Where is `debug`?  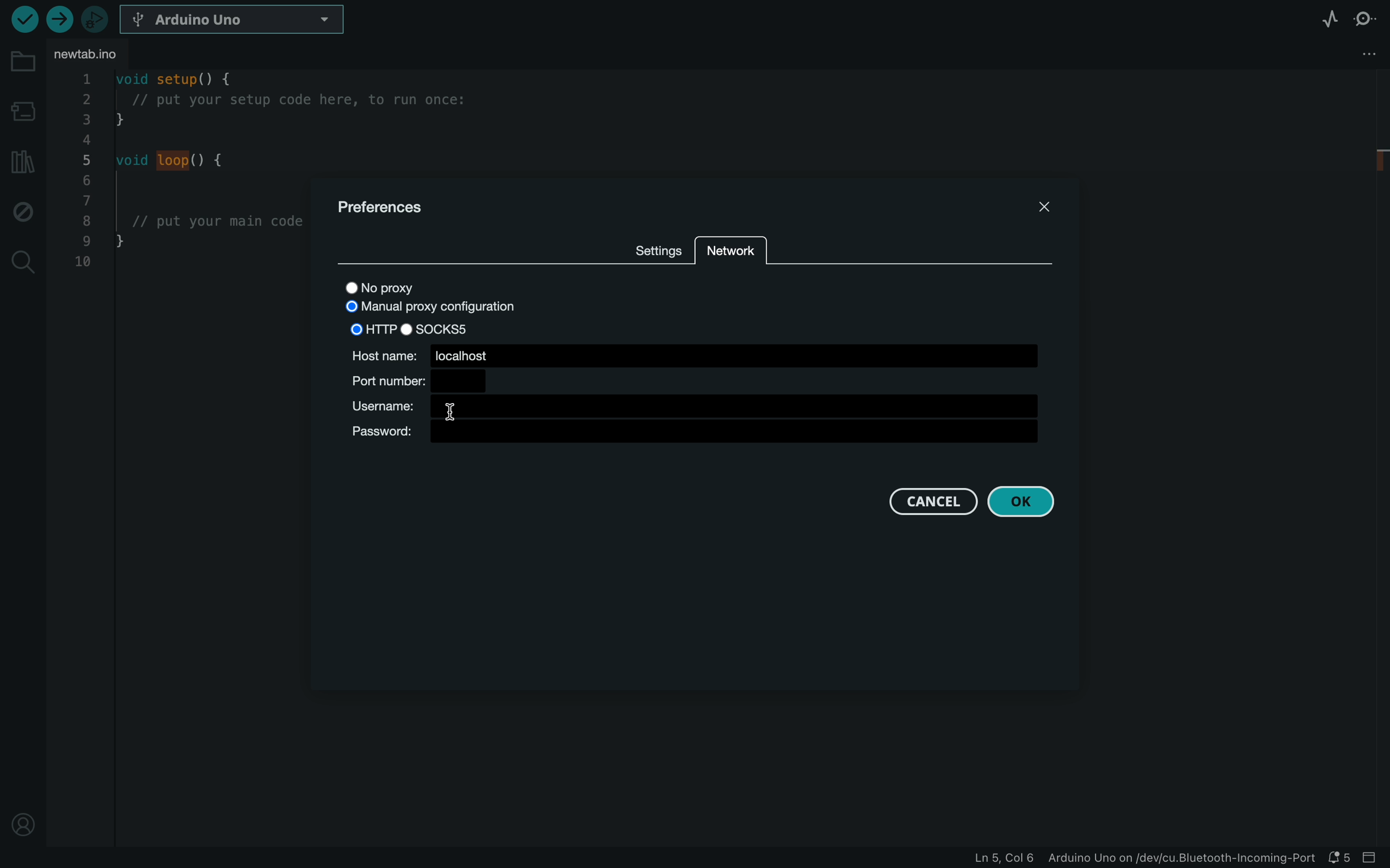 debug is located at coordinates (20, 210).